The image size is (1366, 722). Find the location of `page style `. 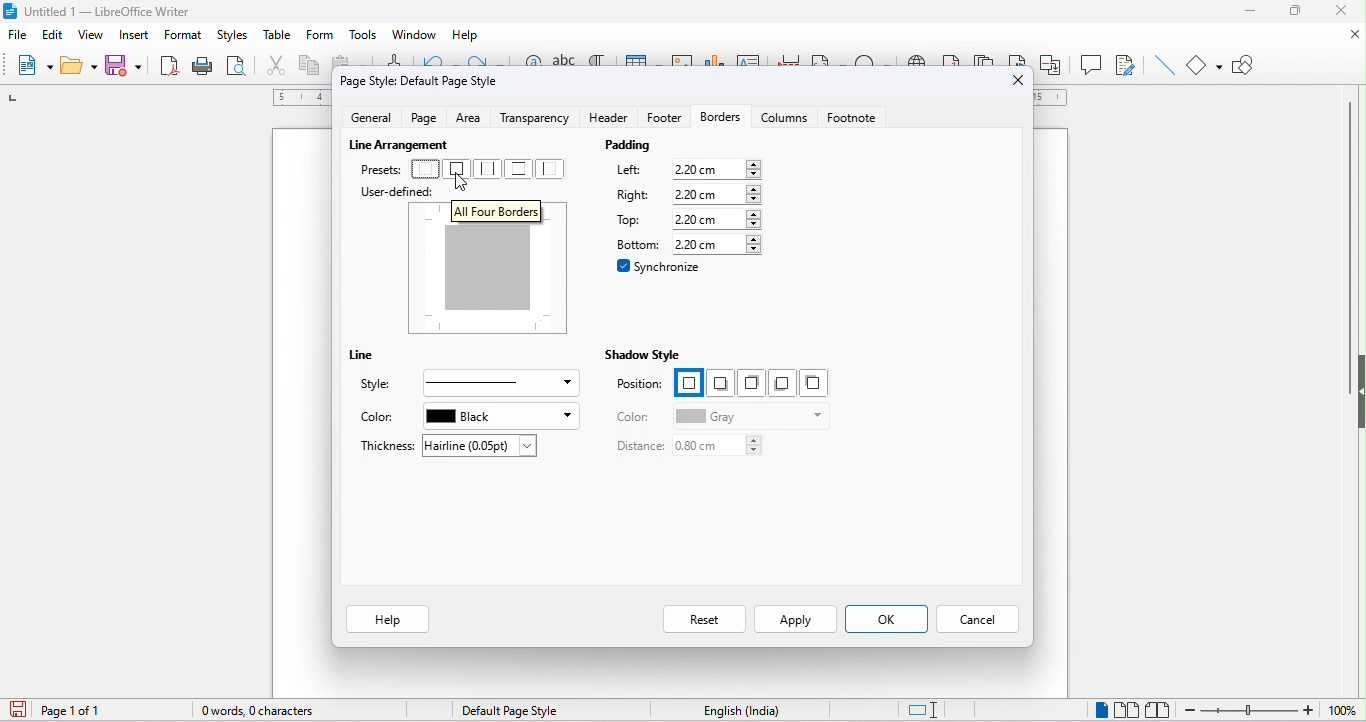

page style  is located at coordinates (508, 709).